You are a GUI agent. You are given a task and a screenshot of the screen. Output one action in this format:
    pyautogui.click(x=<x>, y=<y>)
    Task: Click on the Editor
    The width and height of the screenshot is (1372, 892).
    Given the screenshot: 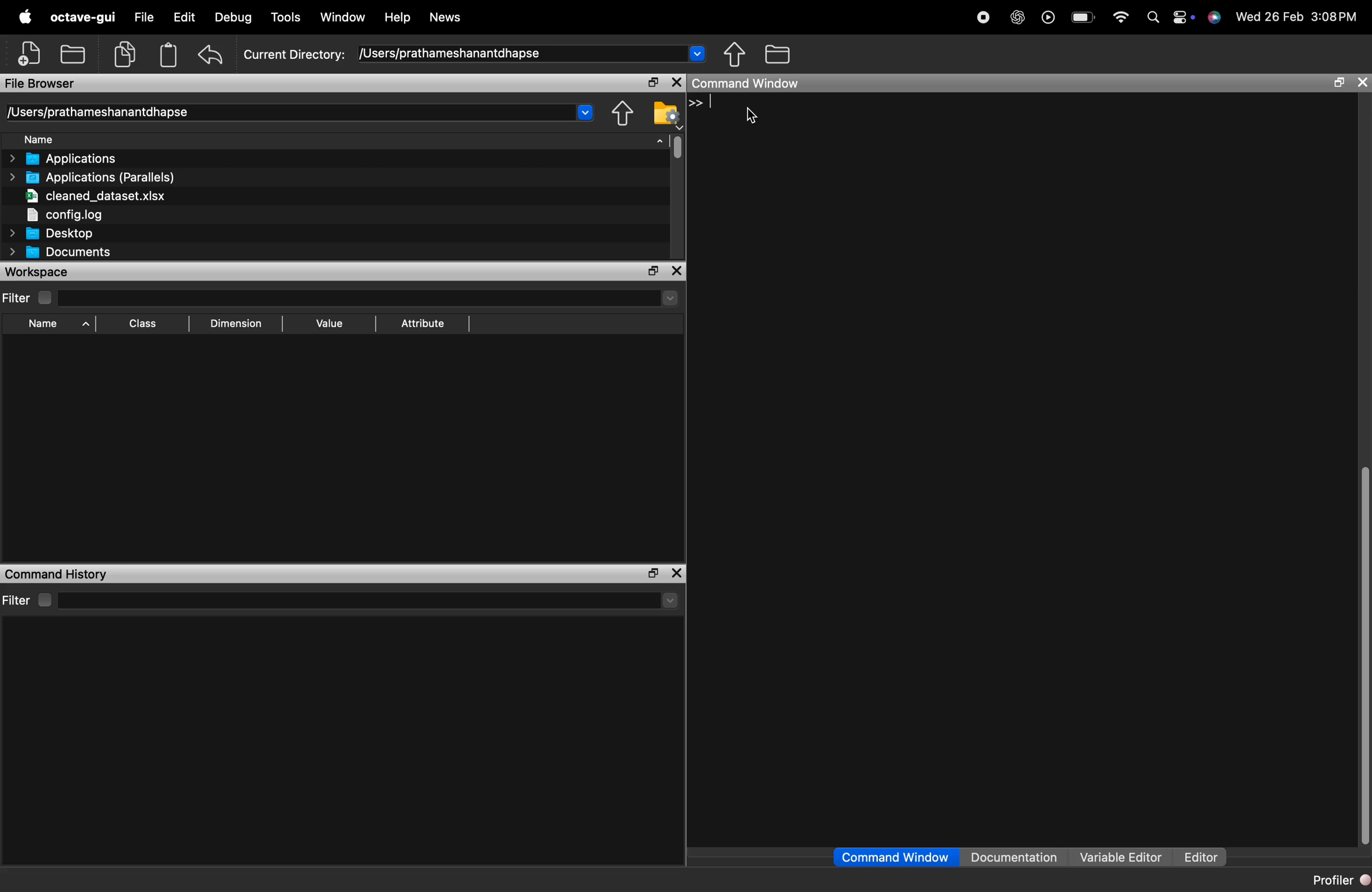 What is the action you would take?
    pyautogui.click(x=1204, y=856)
    